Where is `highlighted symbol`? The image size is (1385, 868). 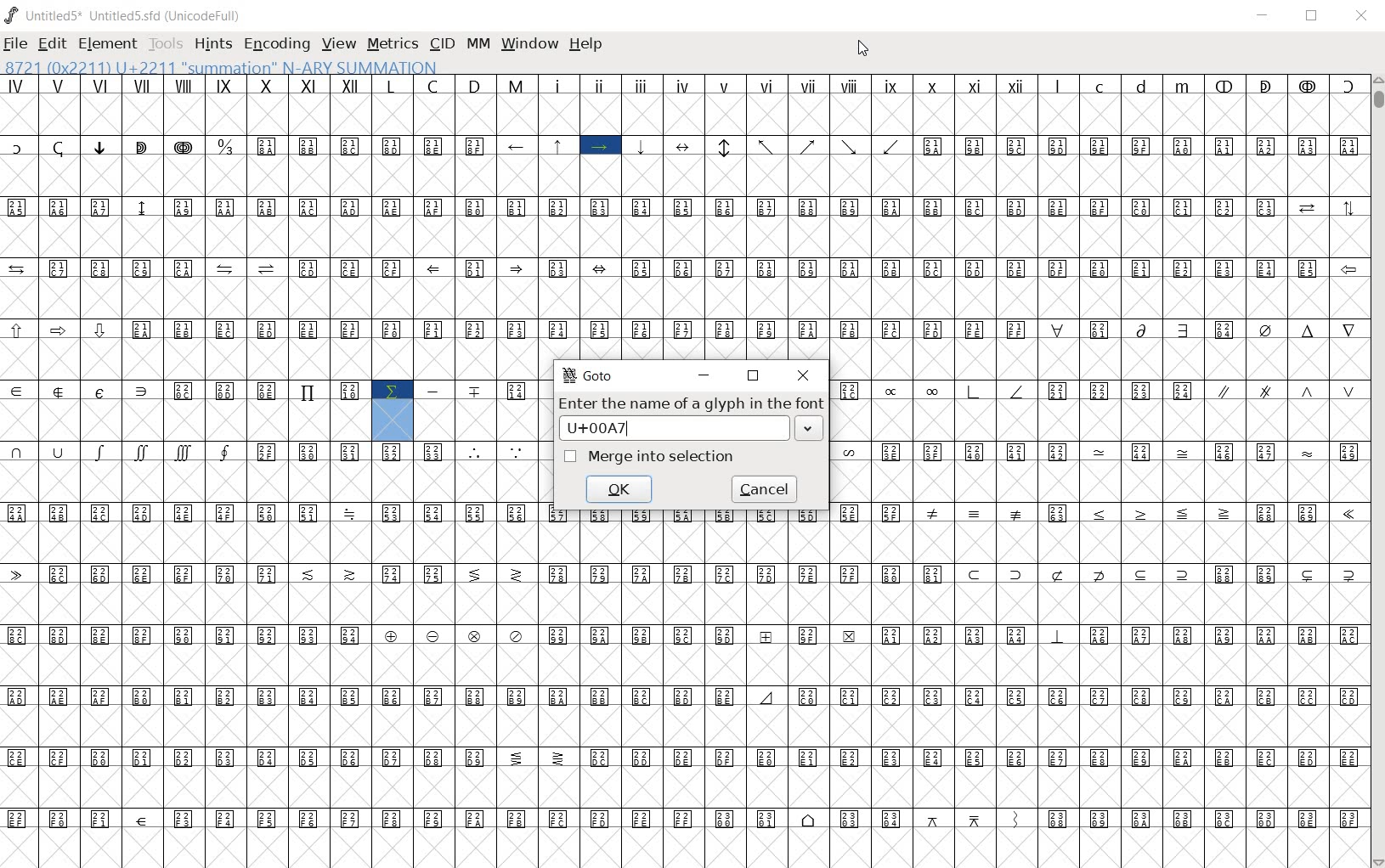
highlighted symbol is located at coordinates (392, 410).